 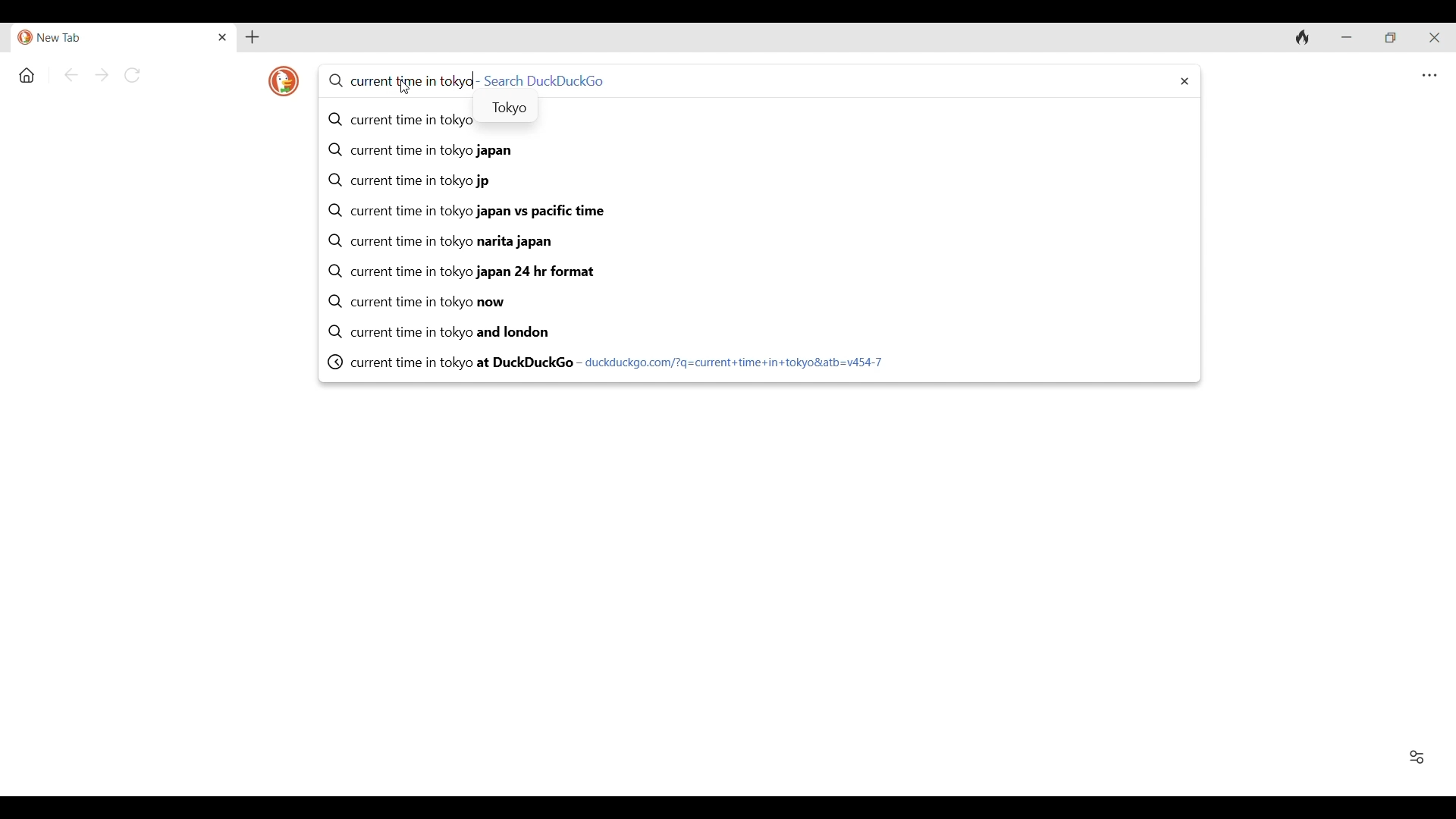 What do you see at coordinates (1417, 757) in the screenshot?
I see `Show/Hide Favorites and recent activity` at bounding box center [1417, 757].